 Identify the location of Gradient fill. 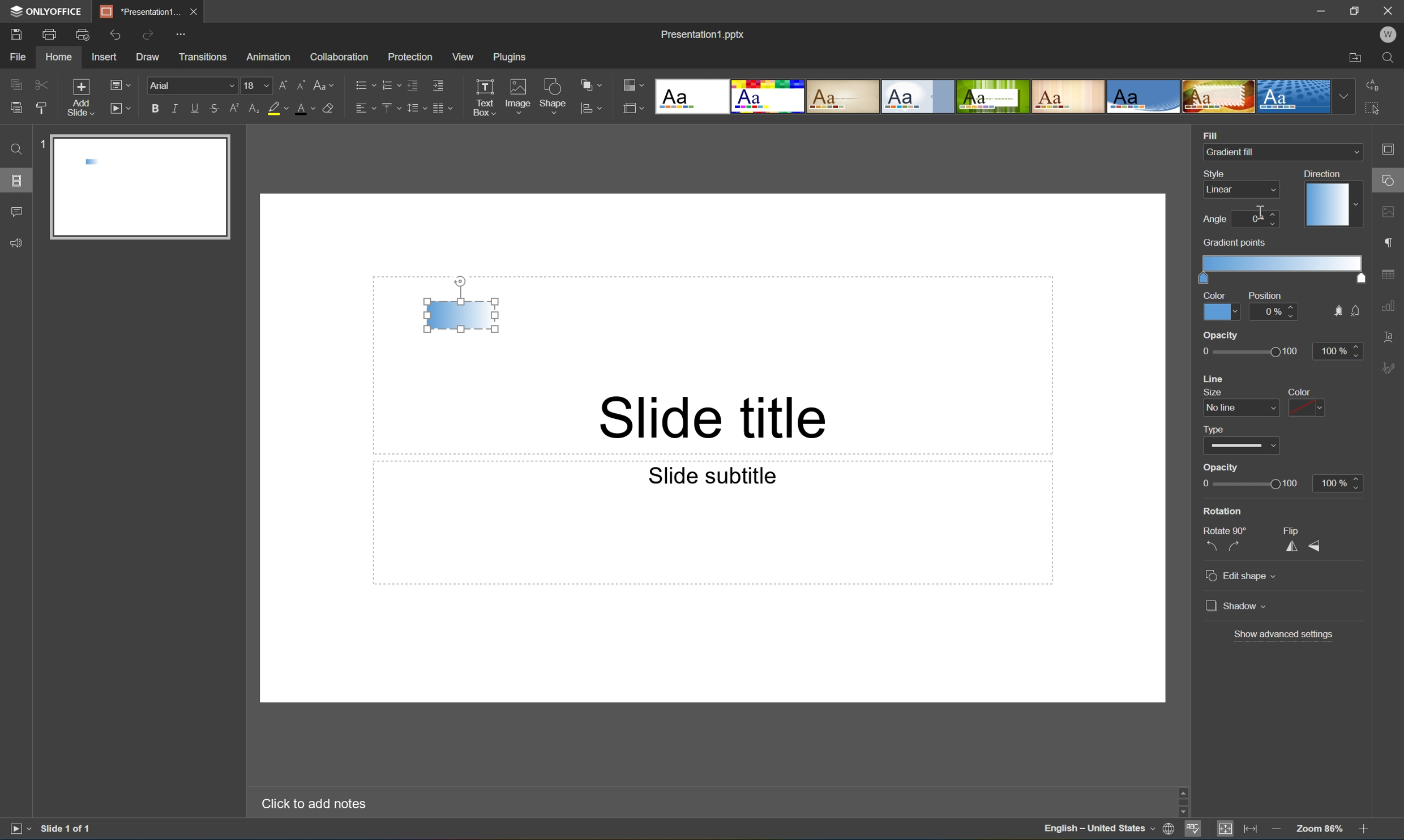
(462, 315).